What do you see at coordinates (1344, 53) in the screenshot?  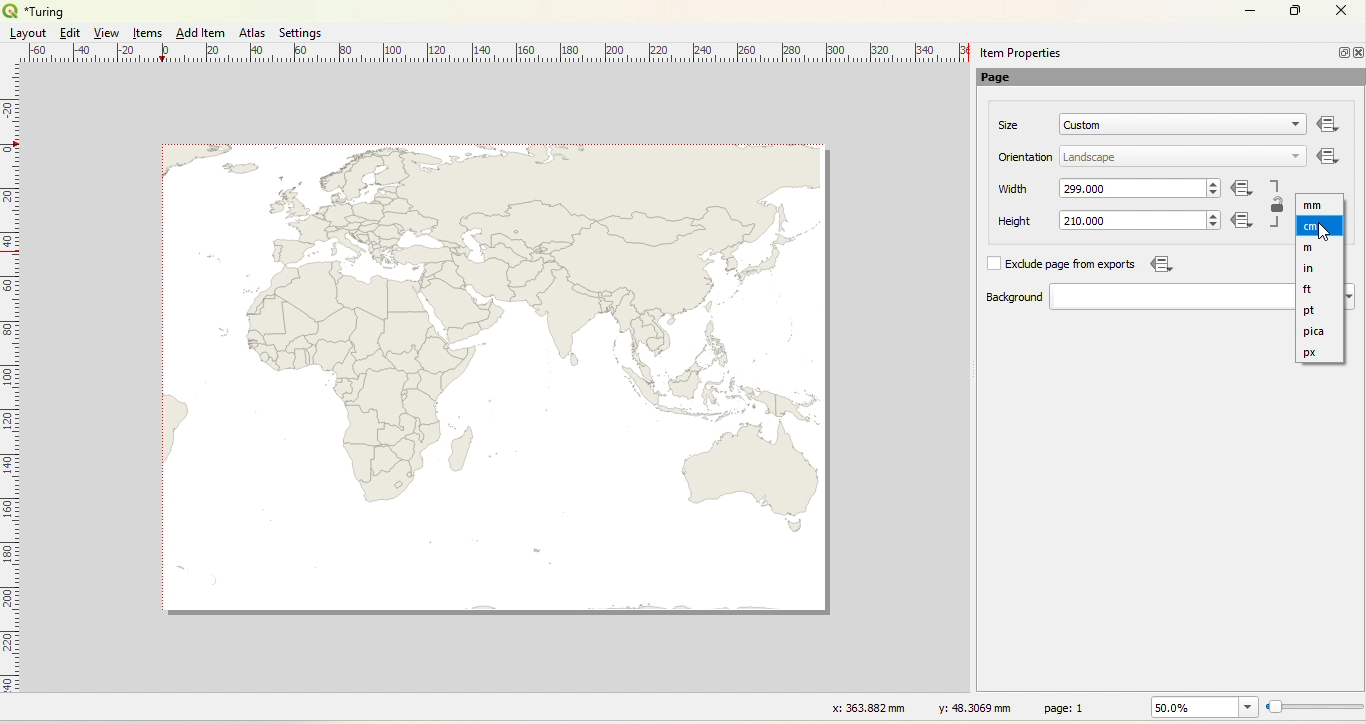 I see `Minimize` at bounding box center [1344, 53].